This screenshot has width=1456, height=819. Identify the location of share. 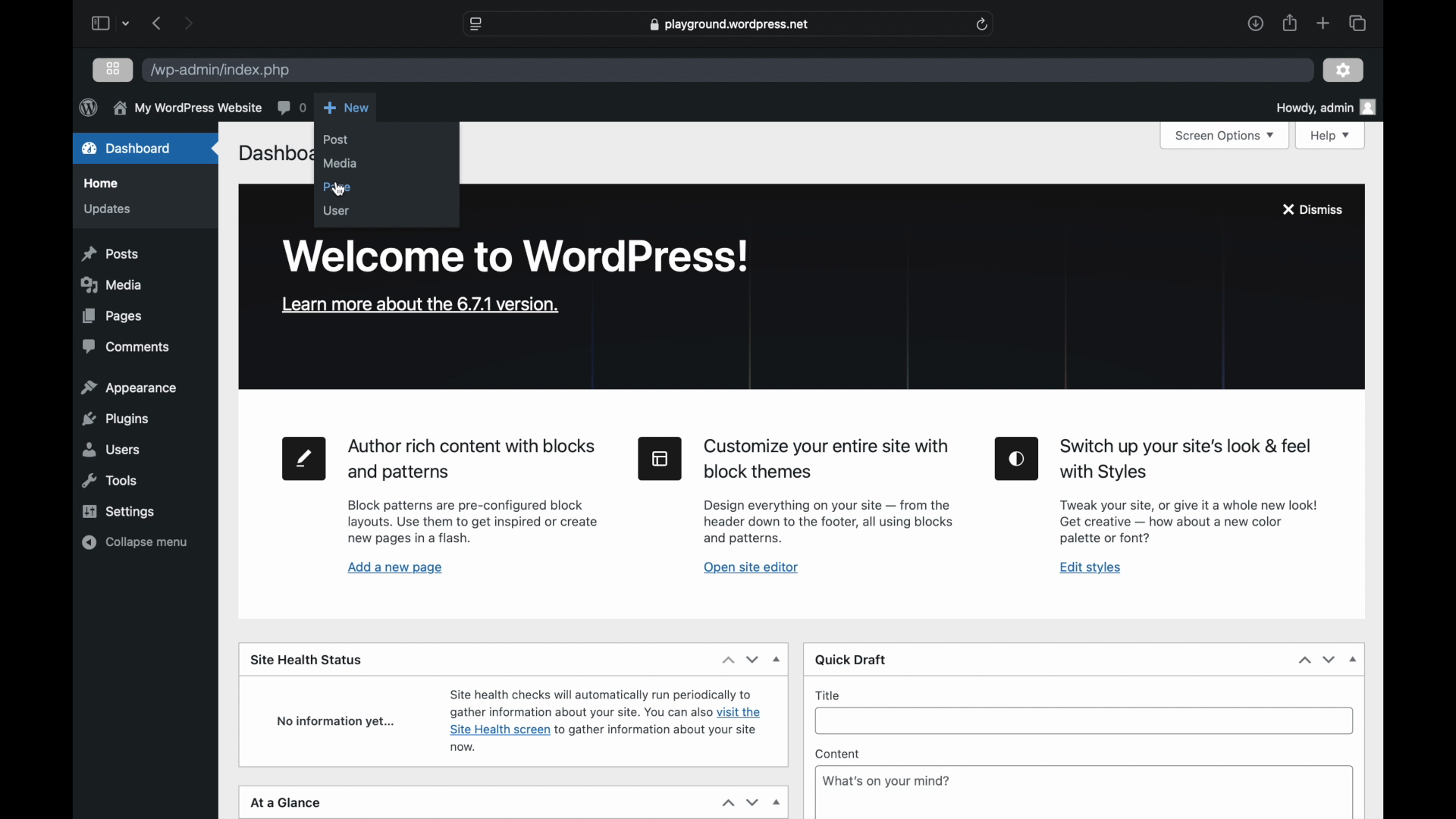
(1291, 24).